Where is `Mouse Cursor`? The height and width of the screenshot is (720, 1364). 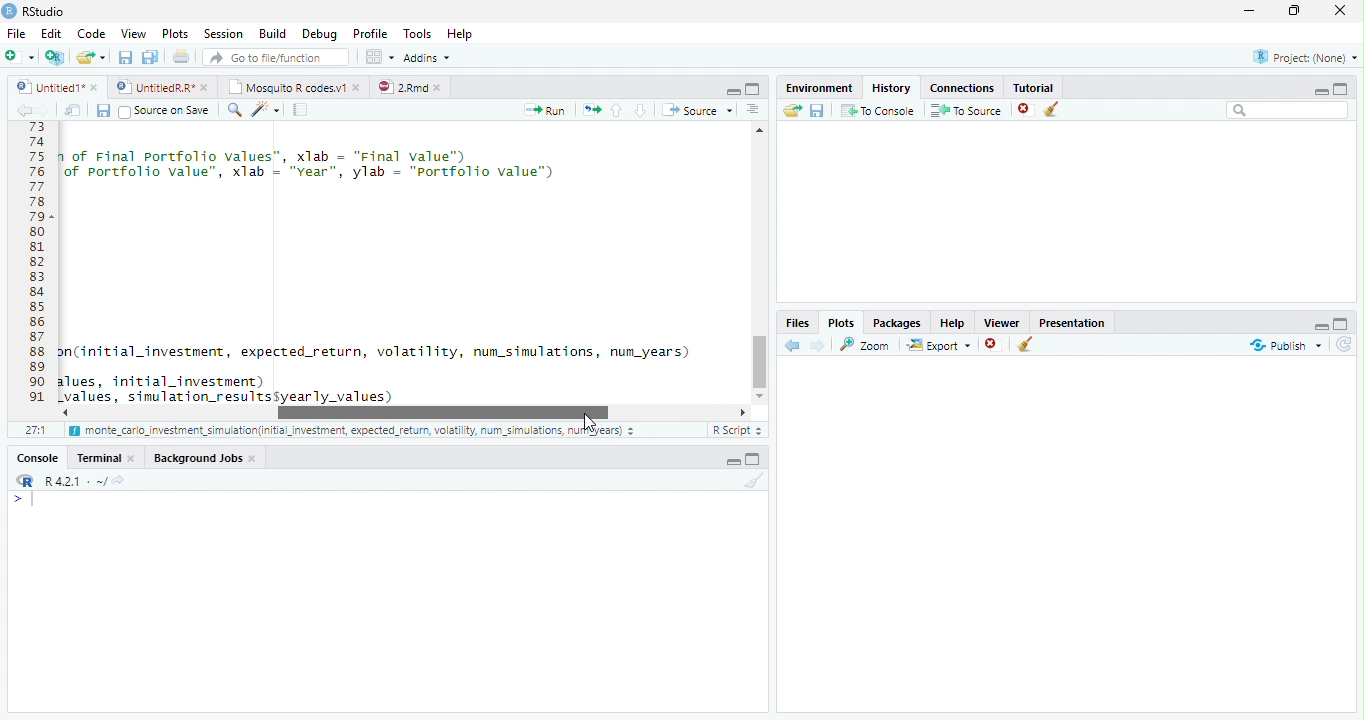
Mouse Cursor is located at coordinates (591, 423).